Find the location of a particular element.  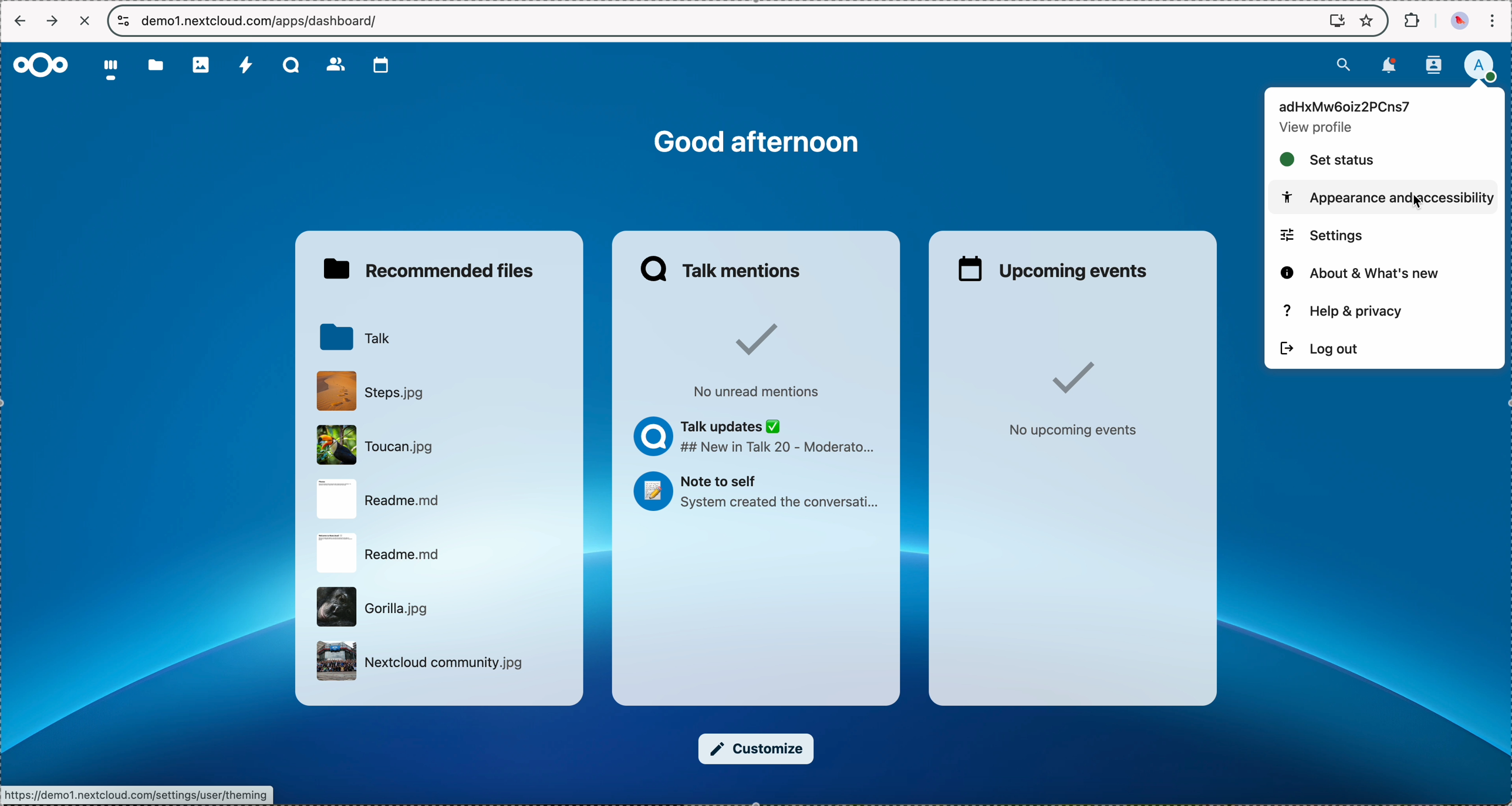

view profile is located at coordinates (1315, 129).